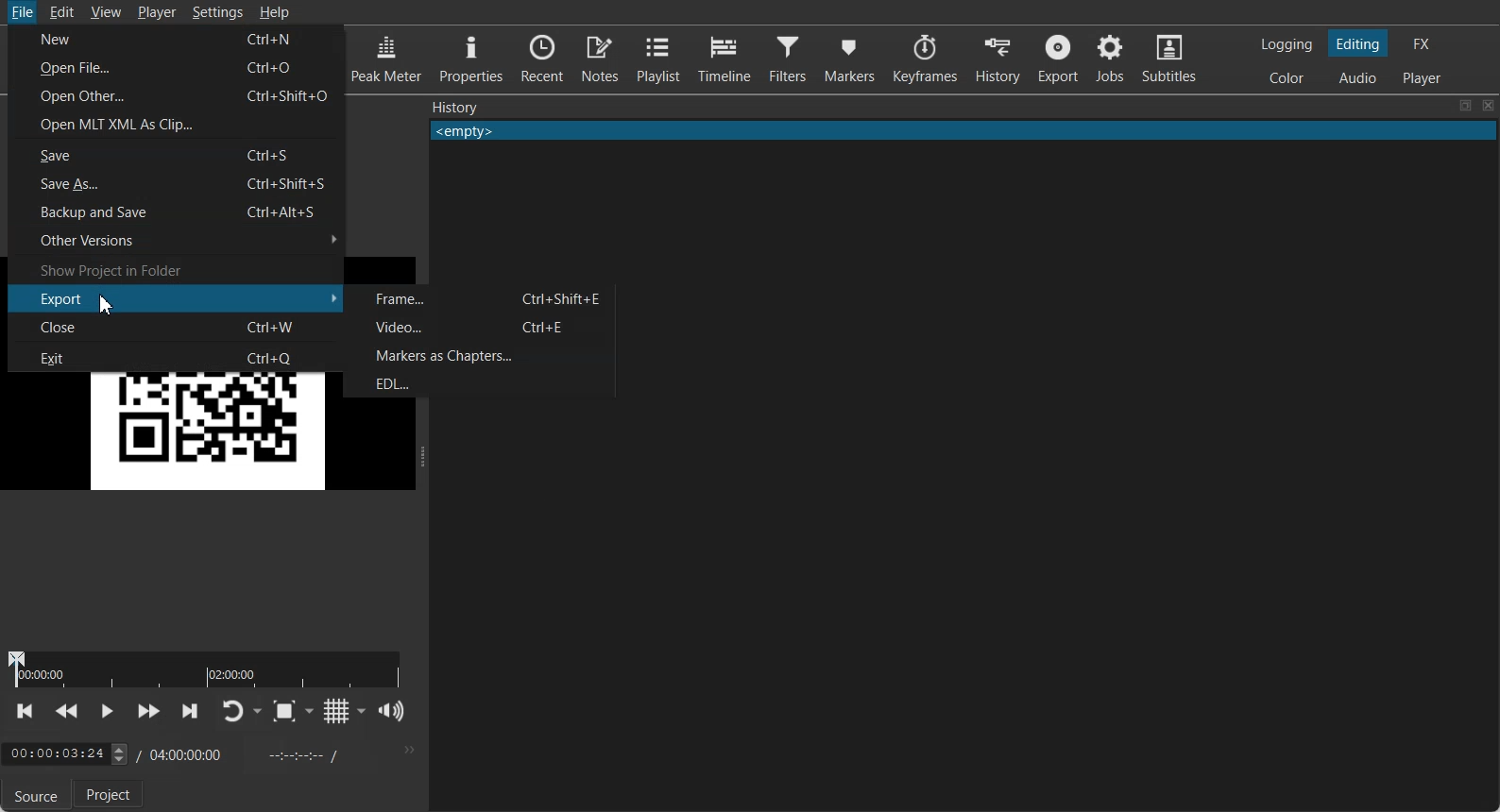 Image resolution: width=1500 pixels, height=812 pixels. Describe the element at coordinates (547, 326) in the screenshot. I see `Ctrl+E` at that location.